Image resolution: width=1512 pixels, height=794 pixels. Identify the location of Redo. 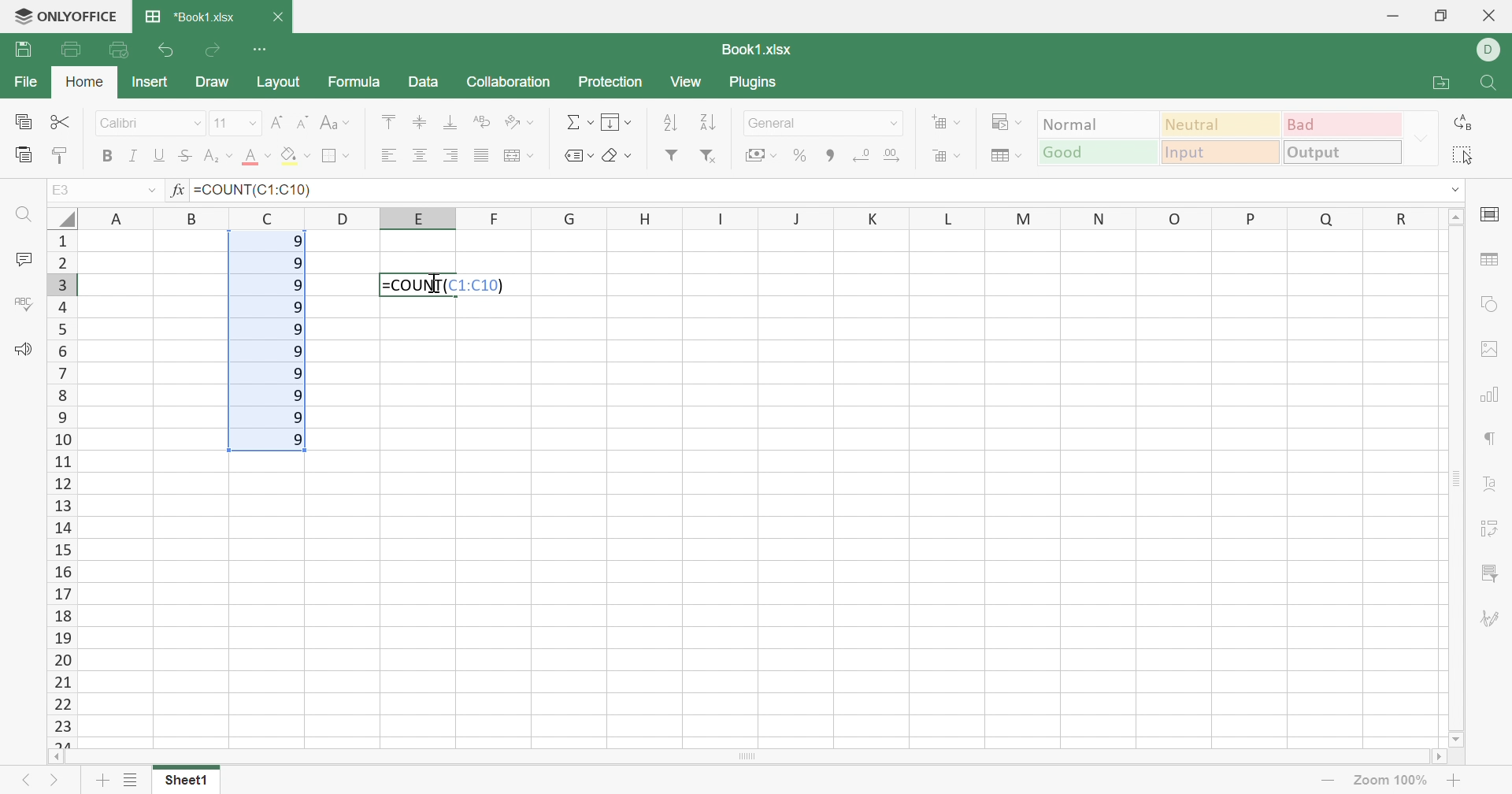
(212, 50).